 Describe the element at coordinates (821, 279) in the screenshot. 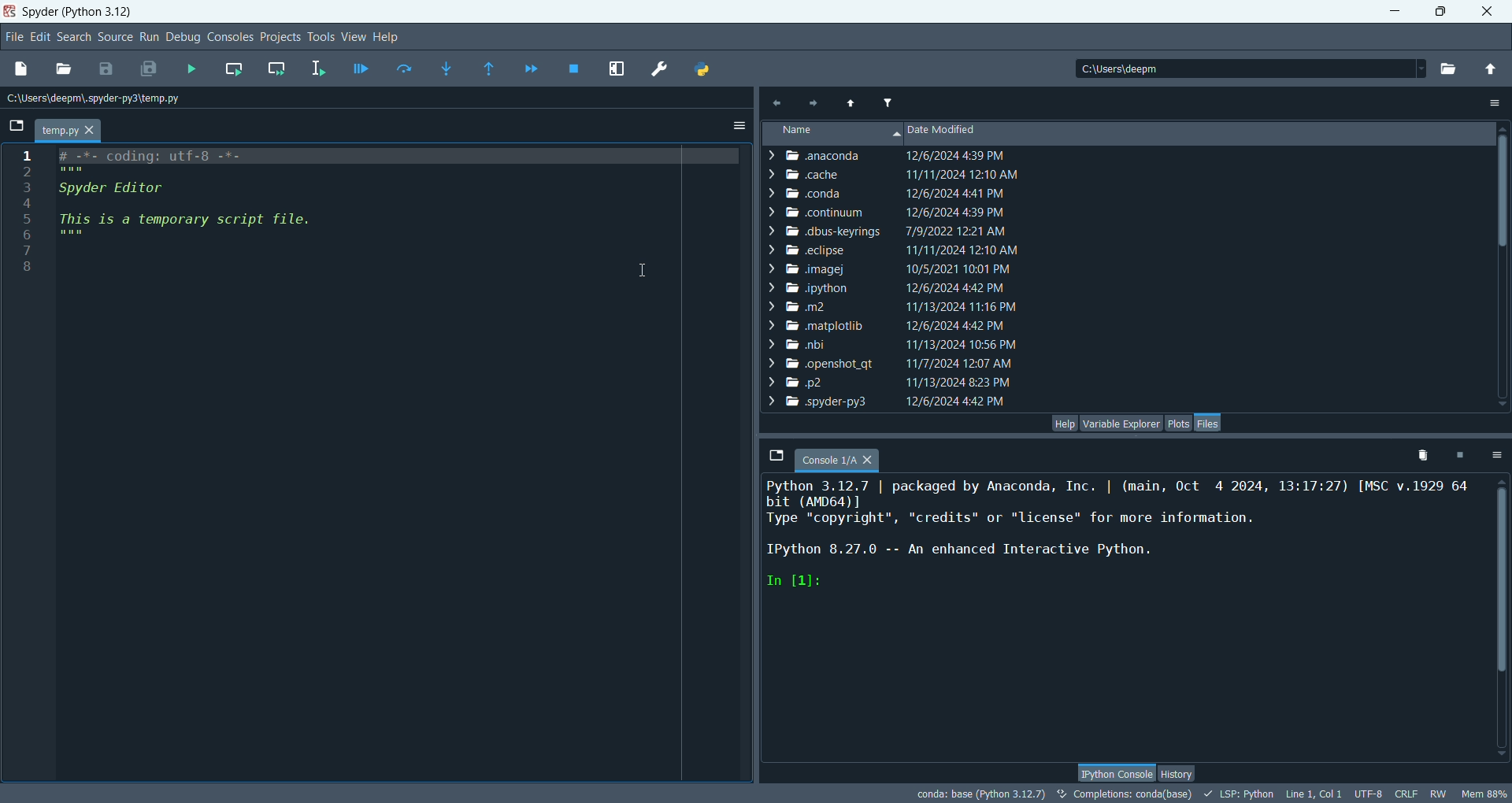

I see `file names` at that location.